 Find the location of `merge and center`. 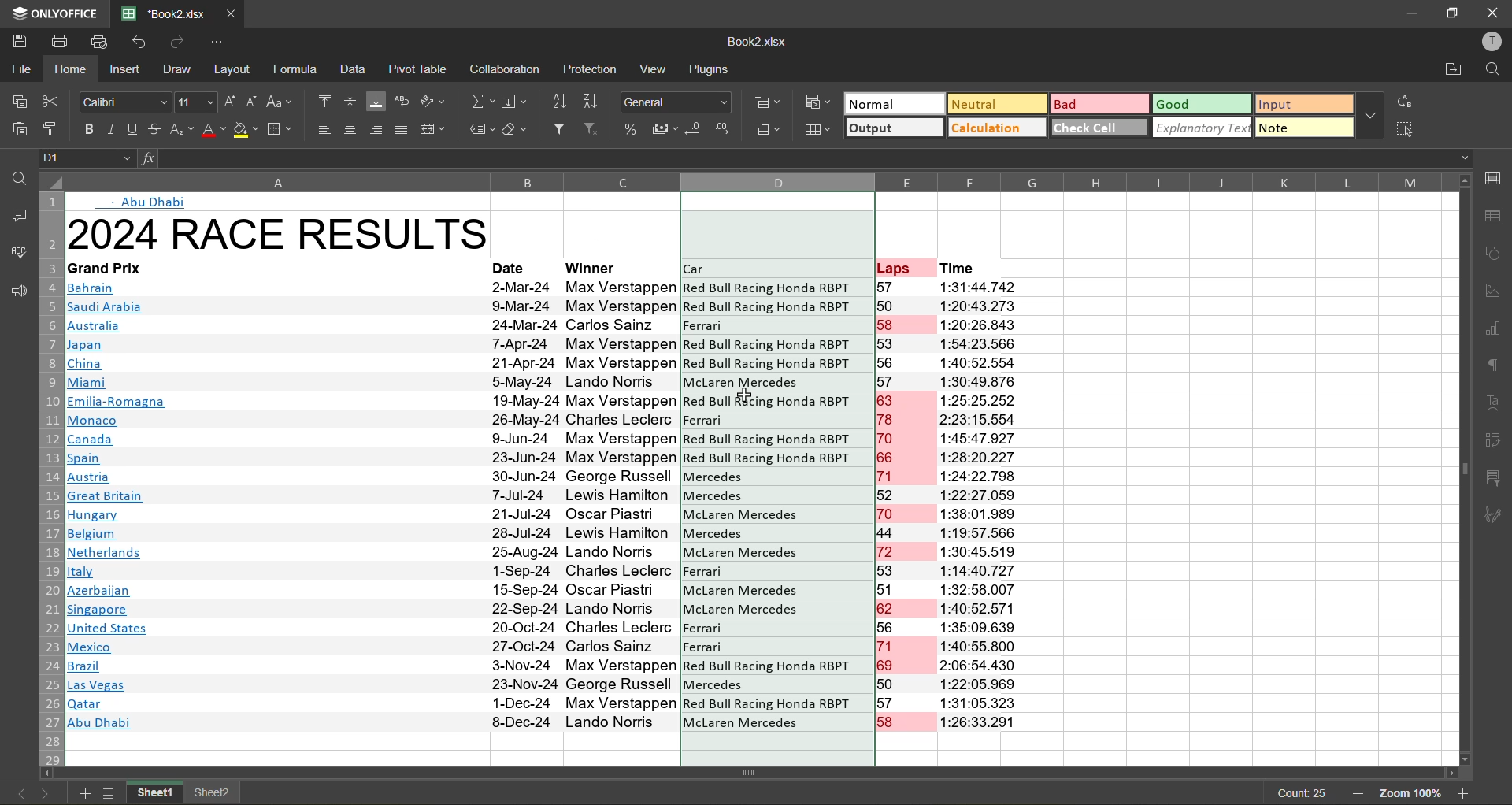

merge and center is located at coordinates (436, 130).